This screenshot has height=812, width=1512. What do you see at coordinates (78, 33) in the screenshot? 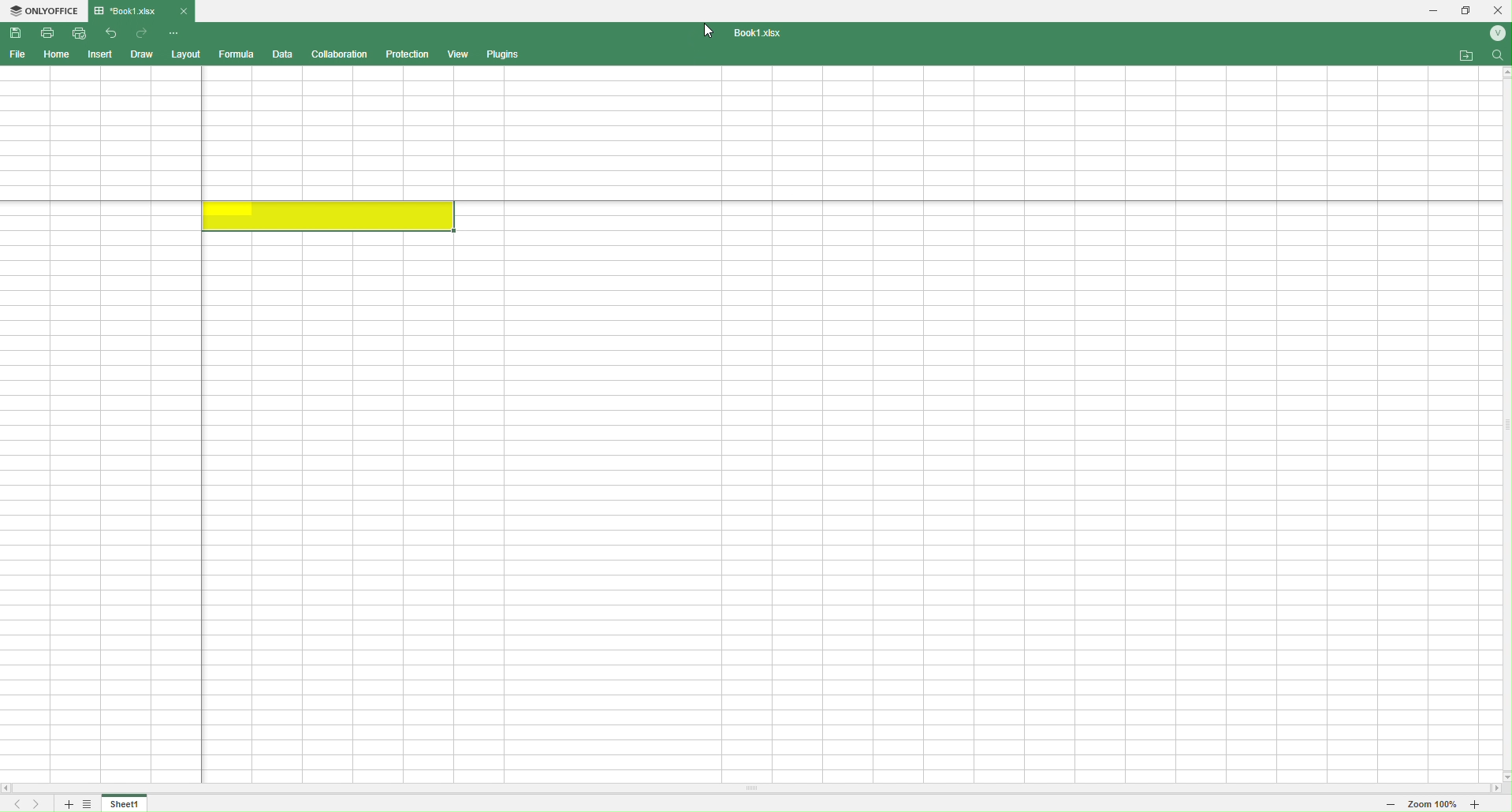
I see `Quick print` at bounding box center [78, 33].